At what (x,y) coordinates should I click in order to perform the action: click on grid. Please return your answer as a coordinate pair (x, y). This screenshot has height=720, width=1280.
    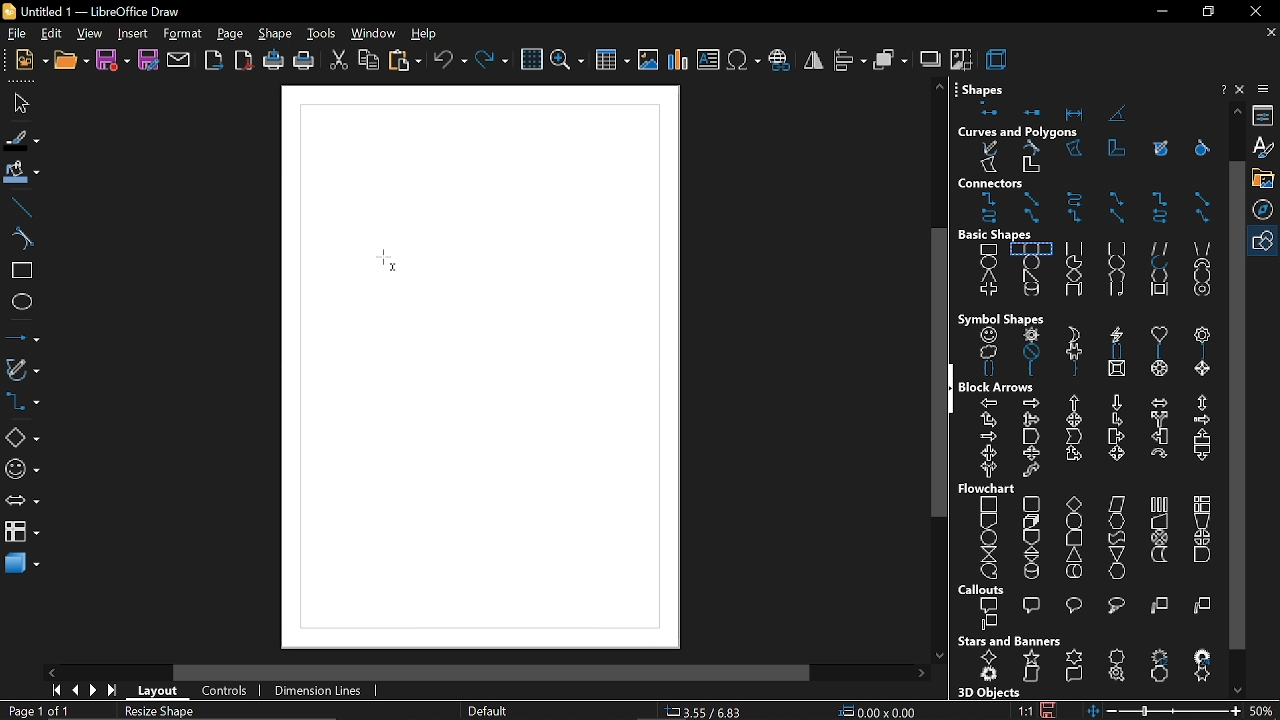
    Looking at the image, I should click on (531, 60).